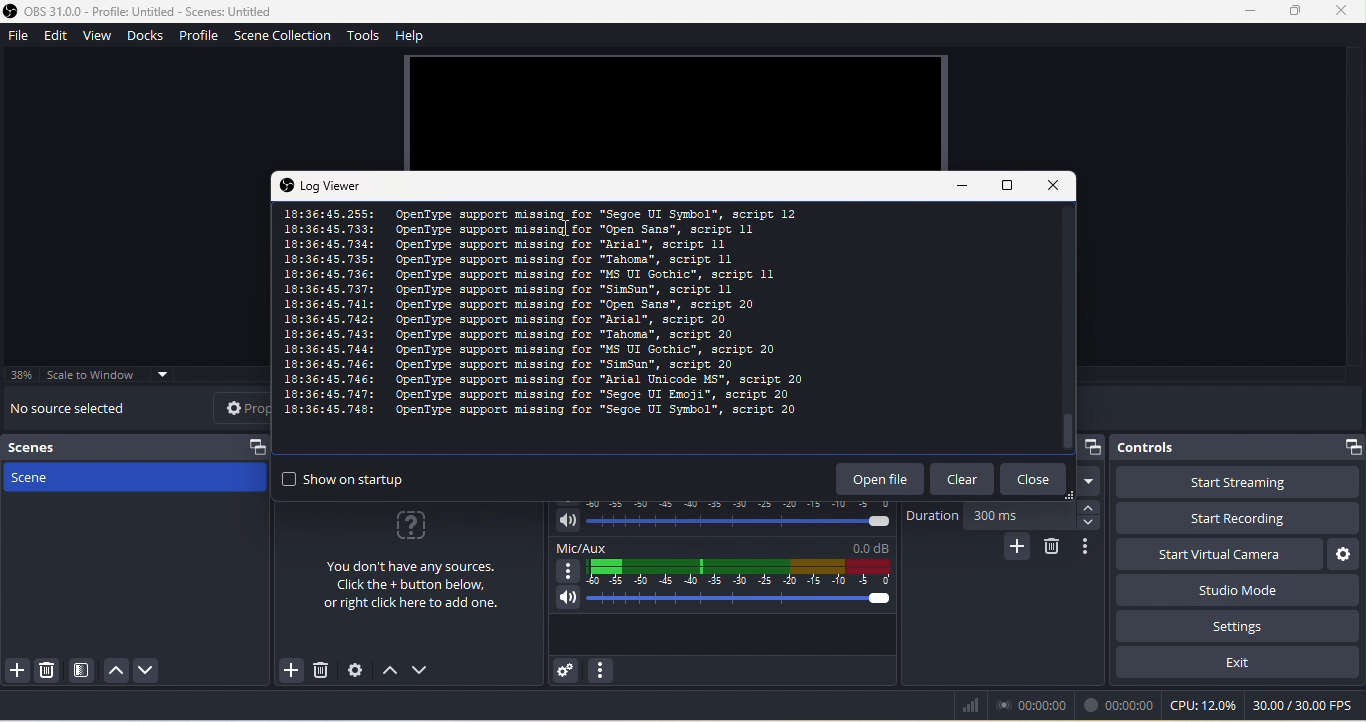 This screenshot has height=722, width=1366. Describe the element at coordinates (662, 331) in the screenshot. I see `This is the log of the recent session details` at that location.